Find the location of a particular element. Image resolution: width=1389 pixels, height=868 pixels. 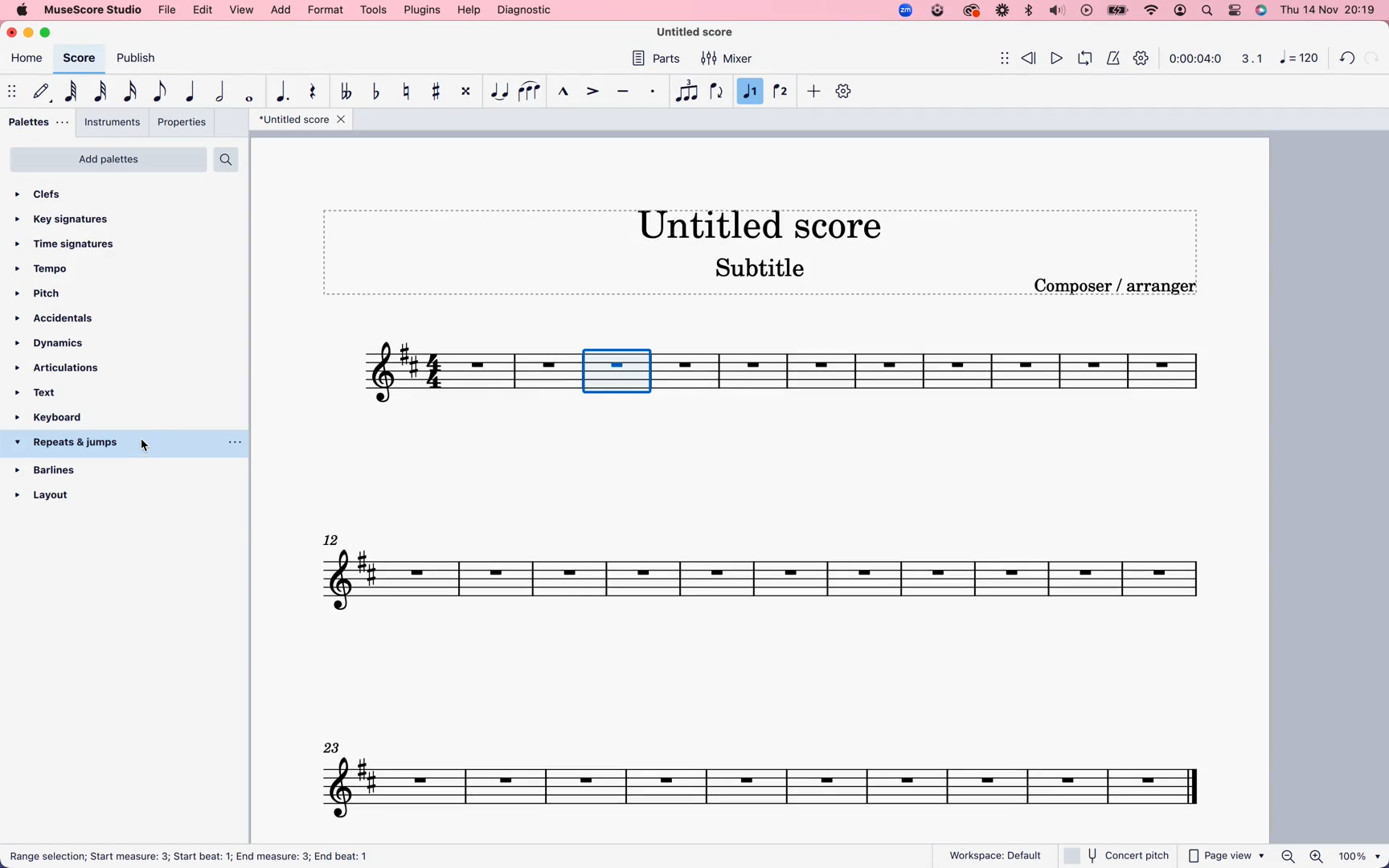

number is located at coordinates (1297, 59).